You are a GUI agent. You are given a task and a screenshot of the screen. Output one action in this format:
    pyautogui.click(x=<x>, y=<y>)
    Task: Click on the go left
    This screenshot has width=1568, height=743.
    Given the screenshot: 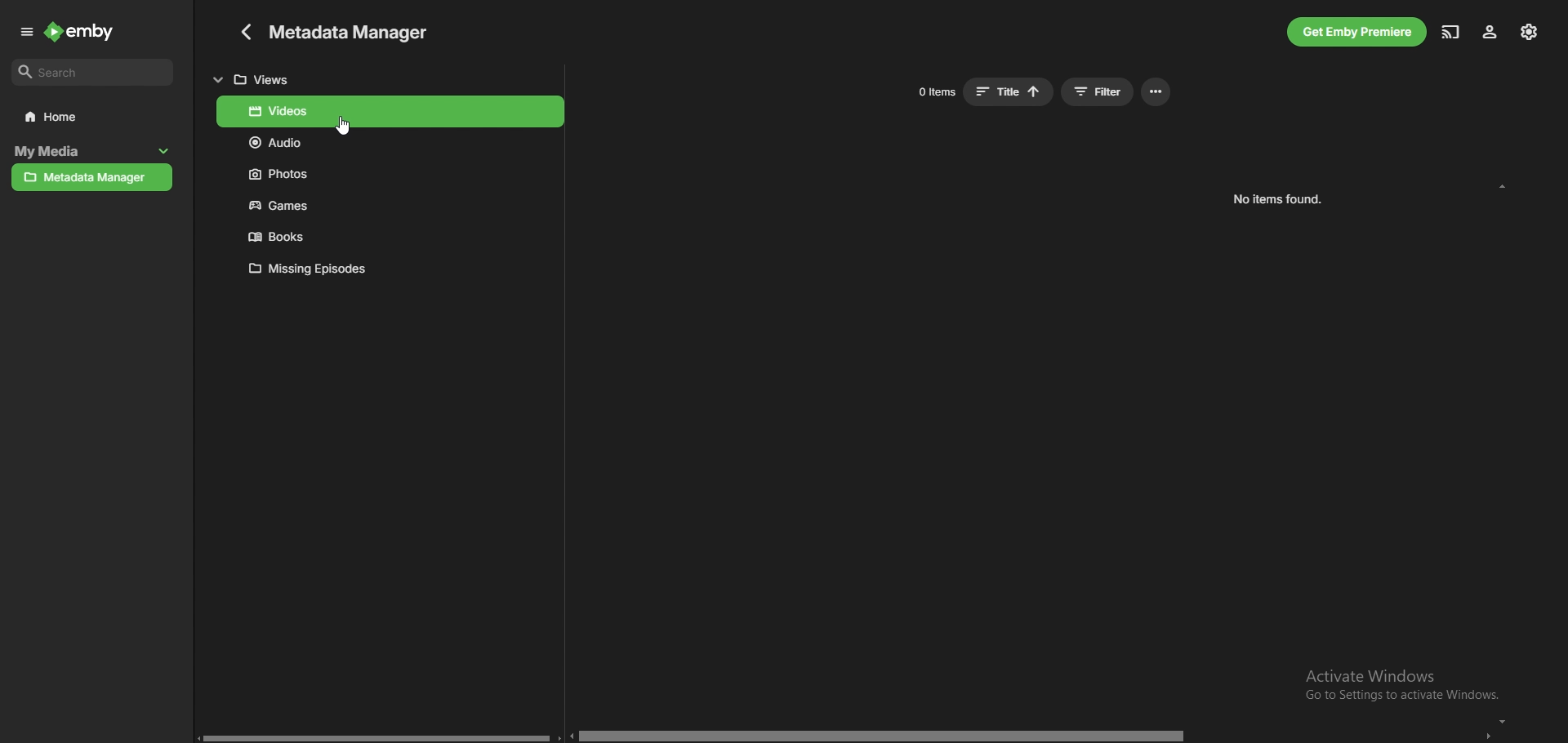 What is the action you would take?
    pyautogui.click(x=568, y=736)
    